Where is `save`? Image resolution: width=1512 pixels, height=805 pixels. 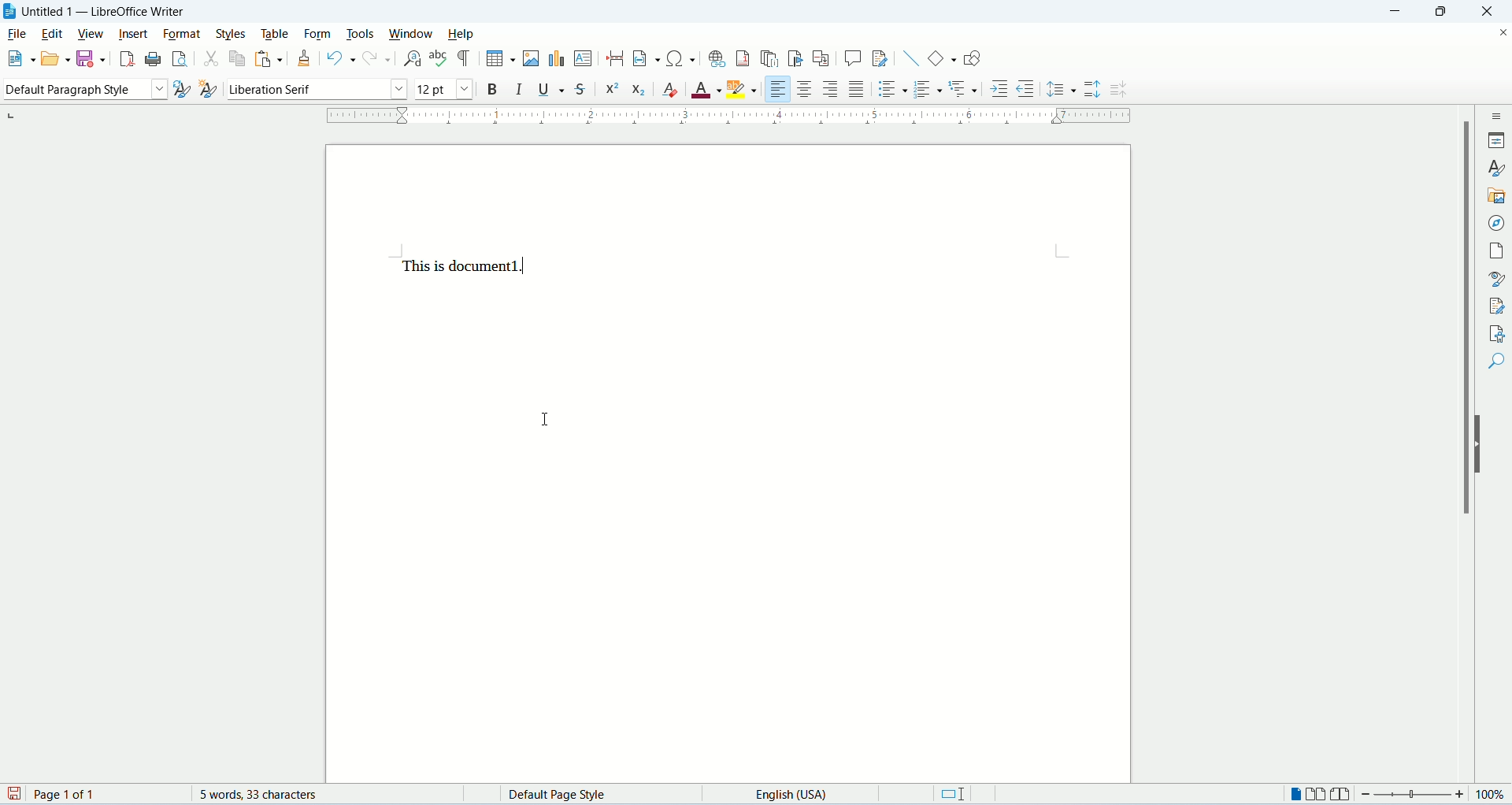
save is located at coordinates (14, 795).